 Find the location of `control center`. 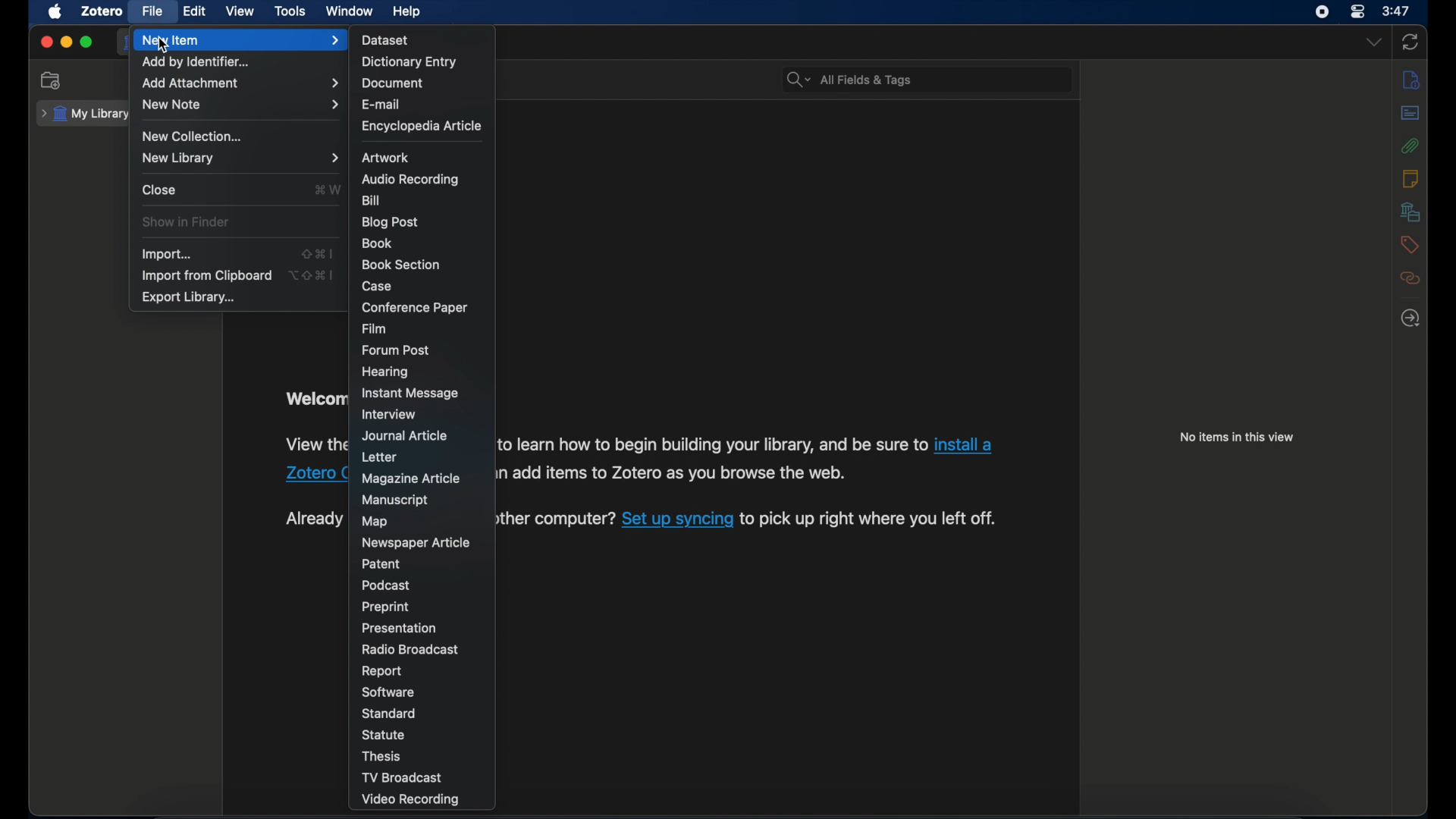

control center is located at coordinates (1359, 12).